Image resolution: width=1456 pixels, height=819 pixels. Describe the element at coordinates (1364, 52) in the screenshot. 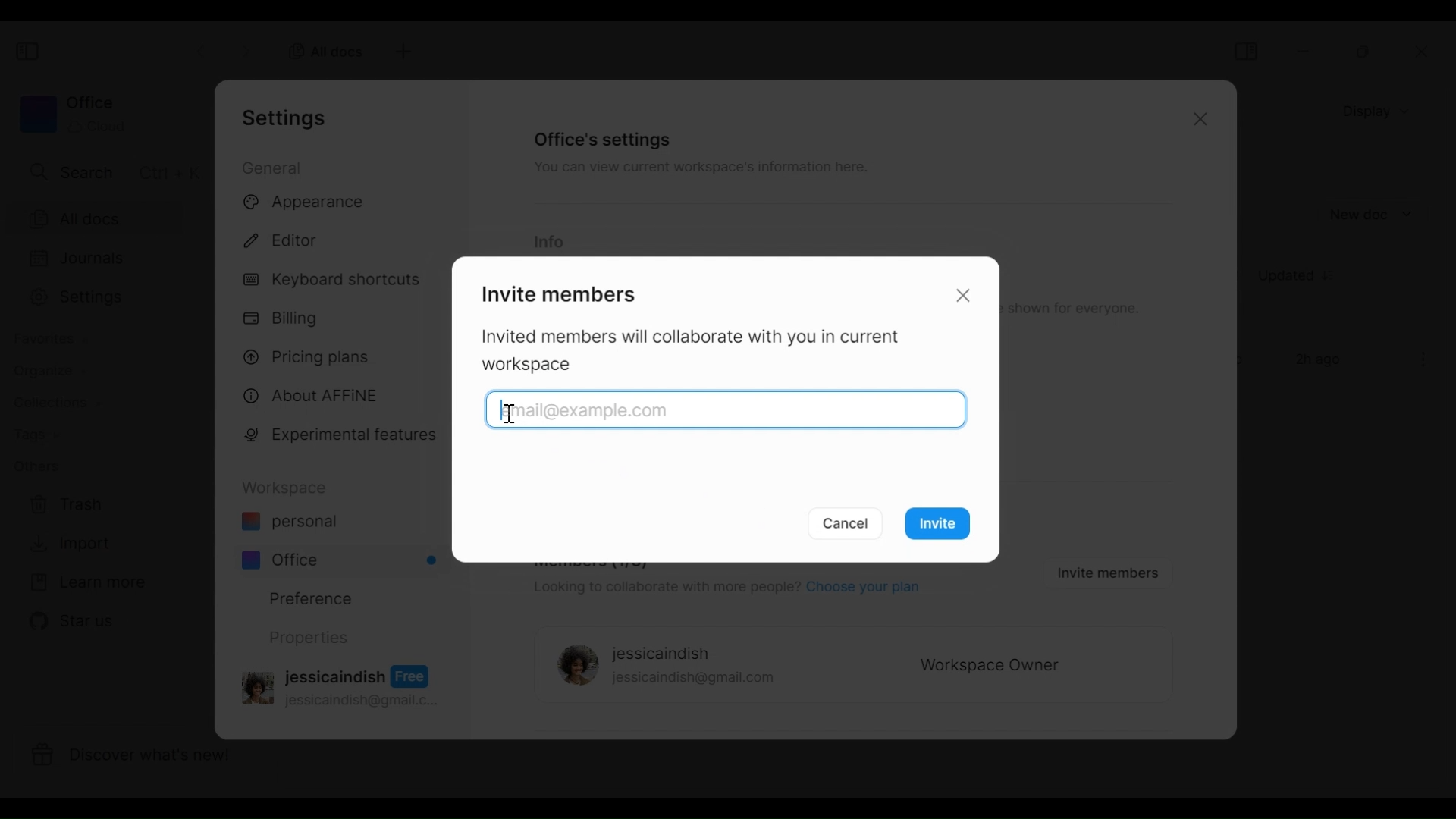

I see `restore` at that location.